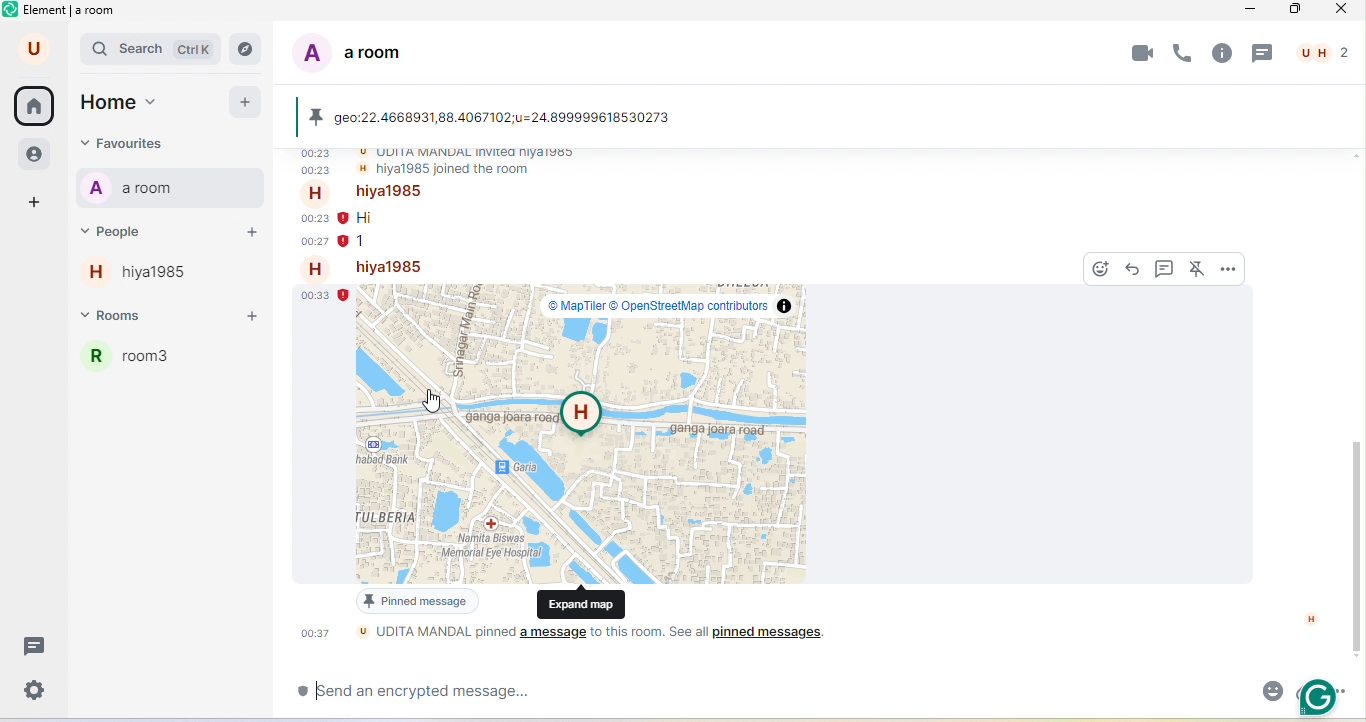 This screenshot has height=722, width=1366. I want to click on people, so click(32, 155).